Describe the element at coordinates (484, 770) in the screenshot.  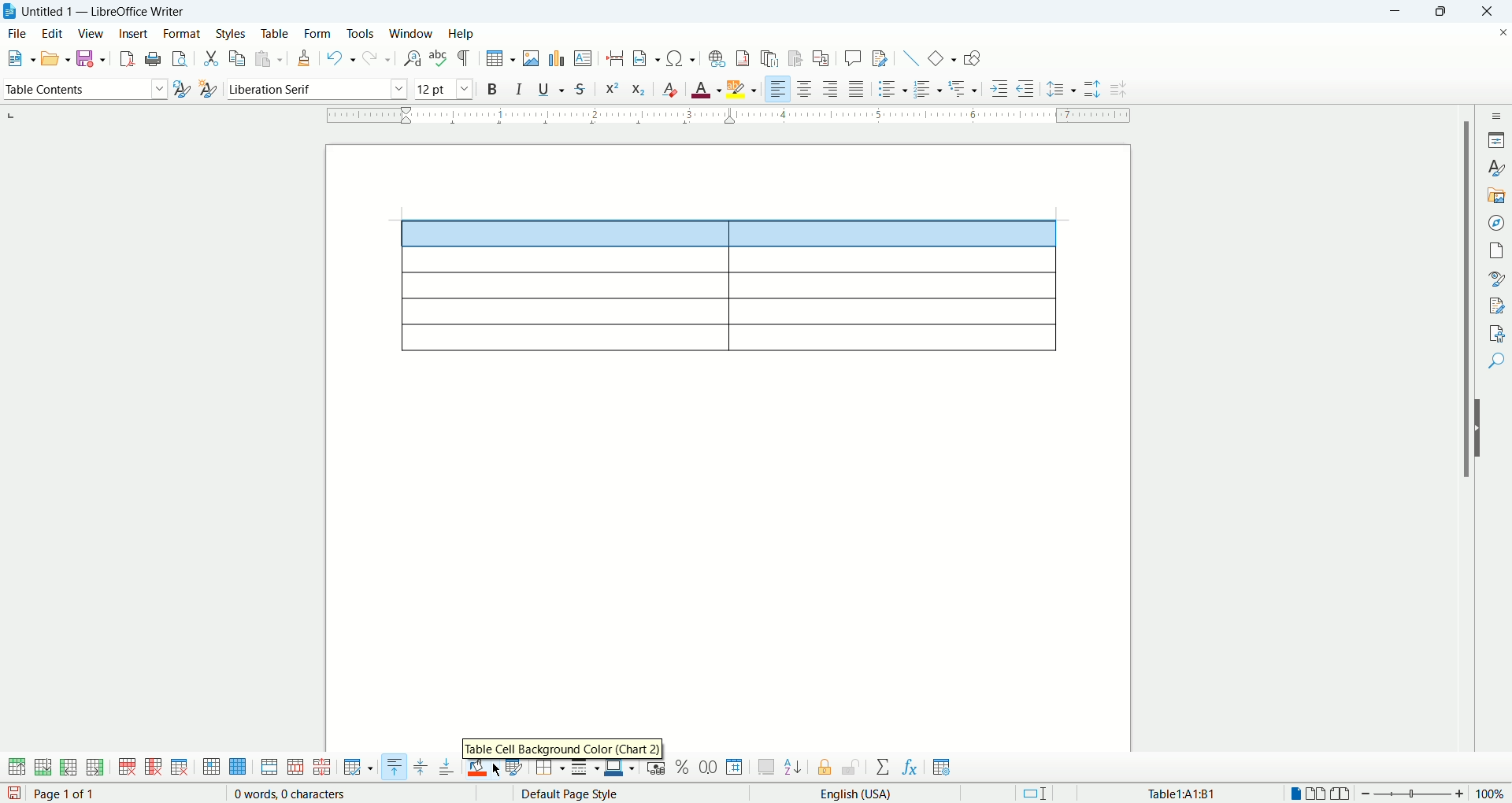
I see `cell background color` at that location.